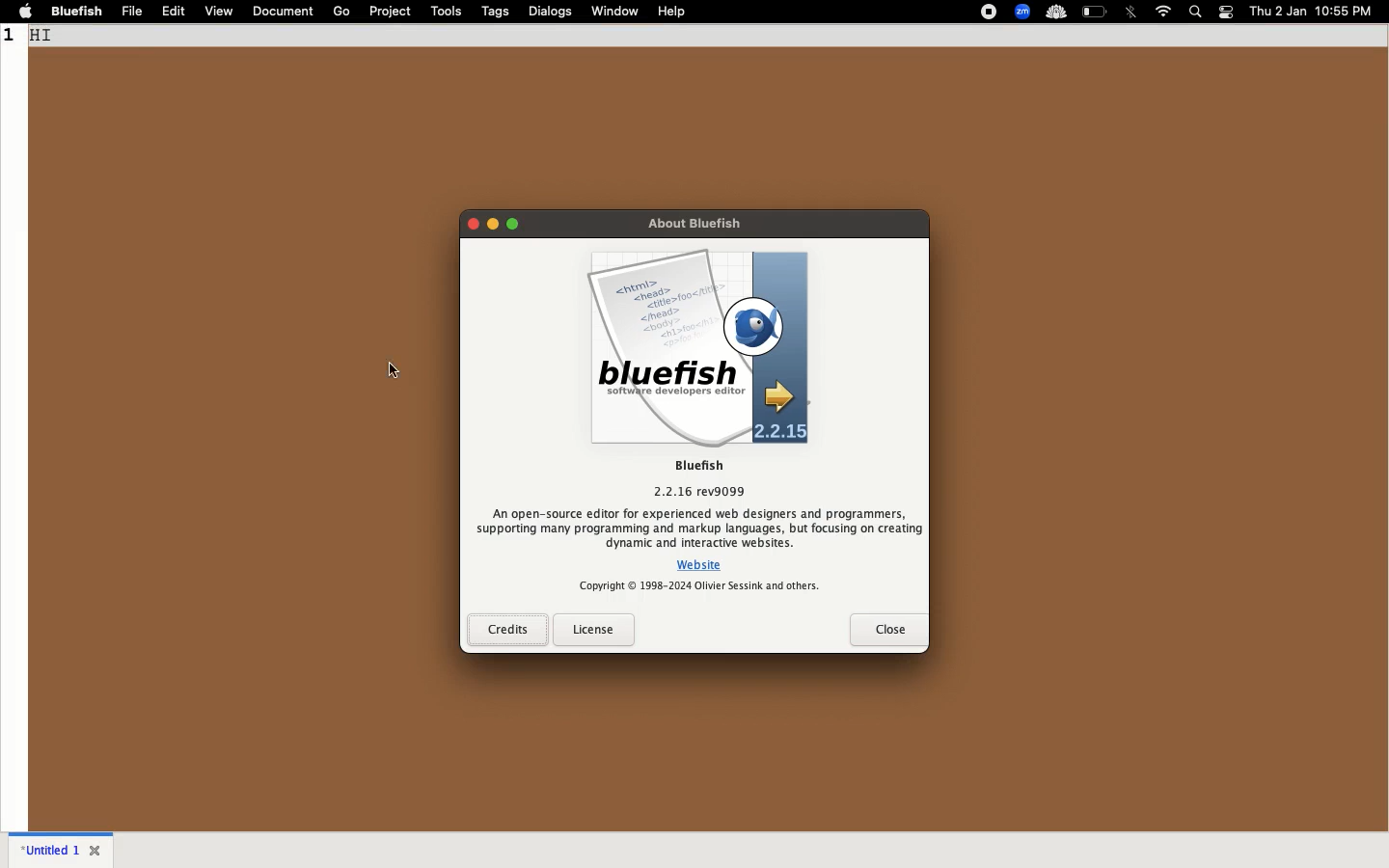 The width and height of the screenshot is (1389, 868). Describe the element at coordinates (47, 848) in the screenshot. I see `untitled` at that location.